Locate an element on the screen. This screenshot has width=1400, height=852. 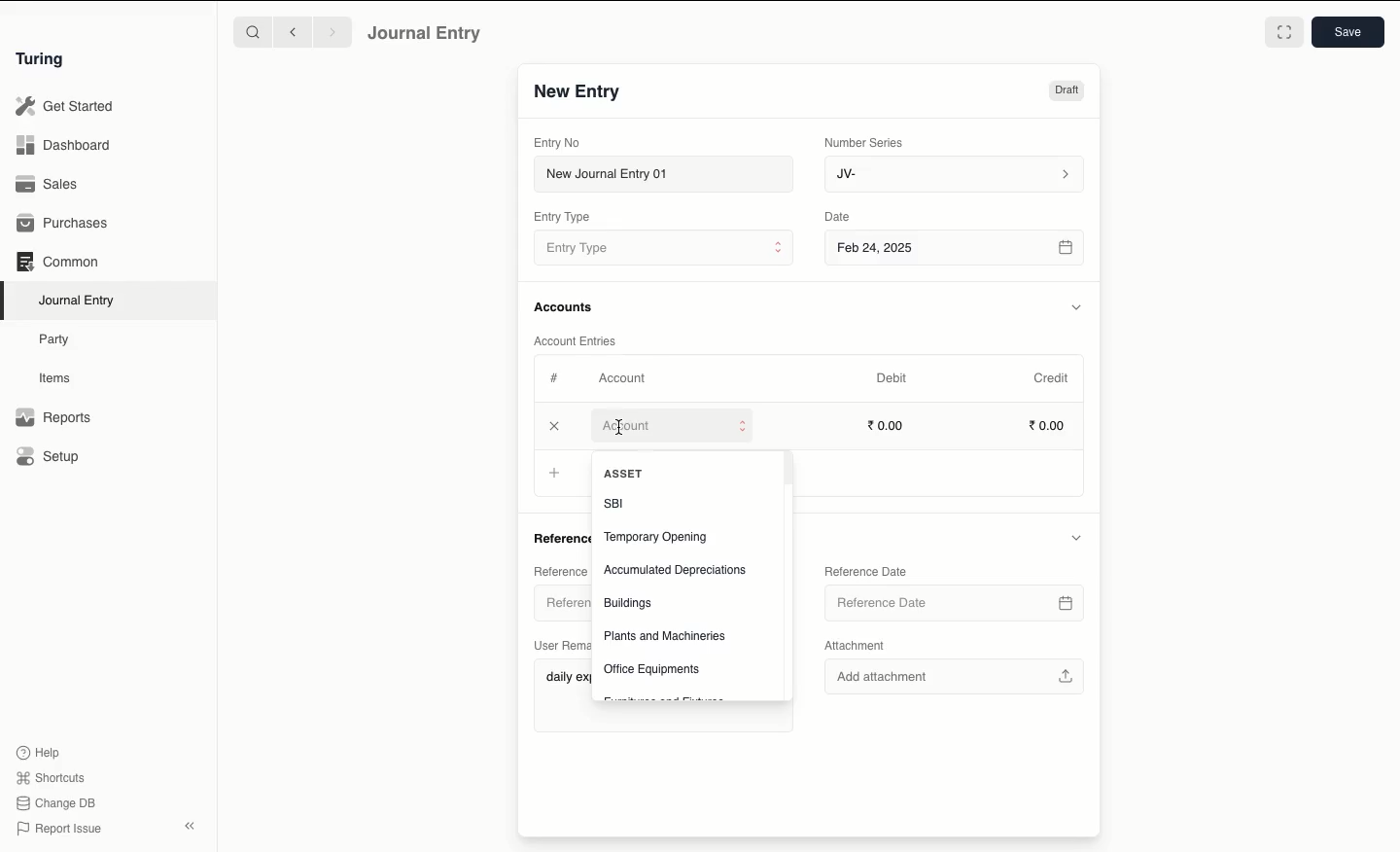
Feb 24, 2025 is located at coordinates (957, 250).